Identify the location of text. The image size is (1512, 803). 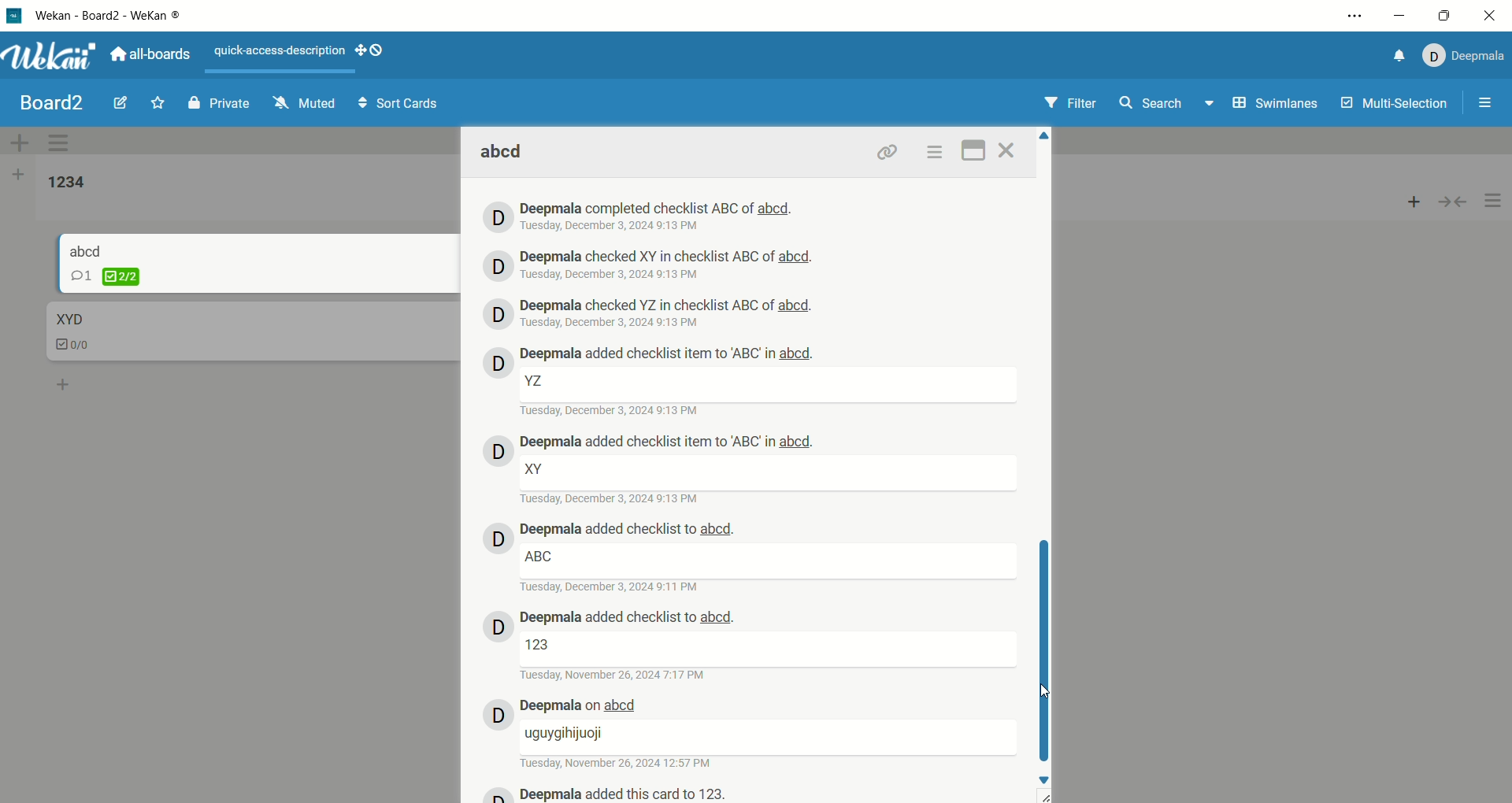
(539, 557).